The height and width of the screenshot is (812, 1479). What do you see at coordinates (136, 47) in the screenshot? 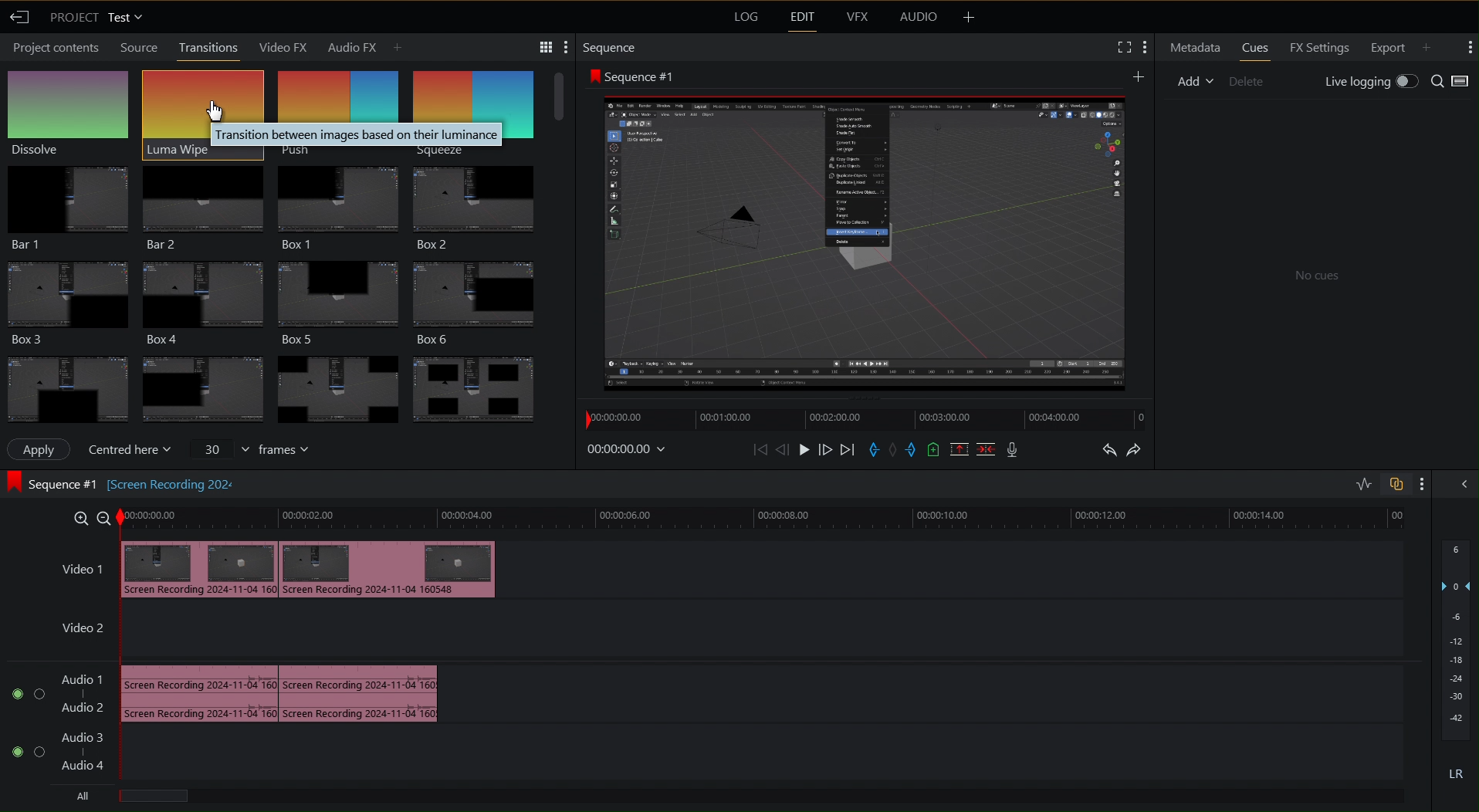
I see `Source` at bounding box center [136, 47].